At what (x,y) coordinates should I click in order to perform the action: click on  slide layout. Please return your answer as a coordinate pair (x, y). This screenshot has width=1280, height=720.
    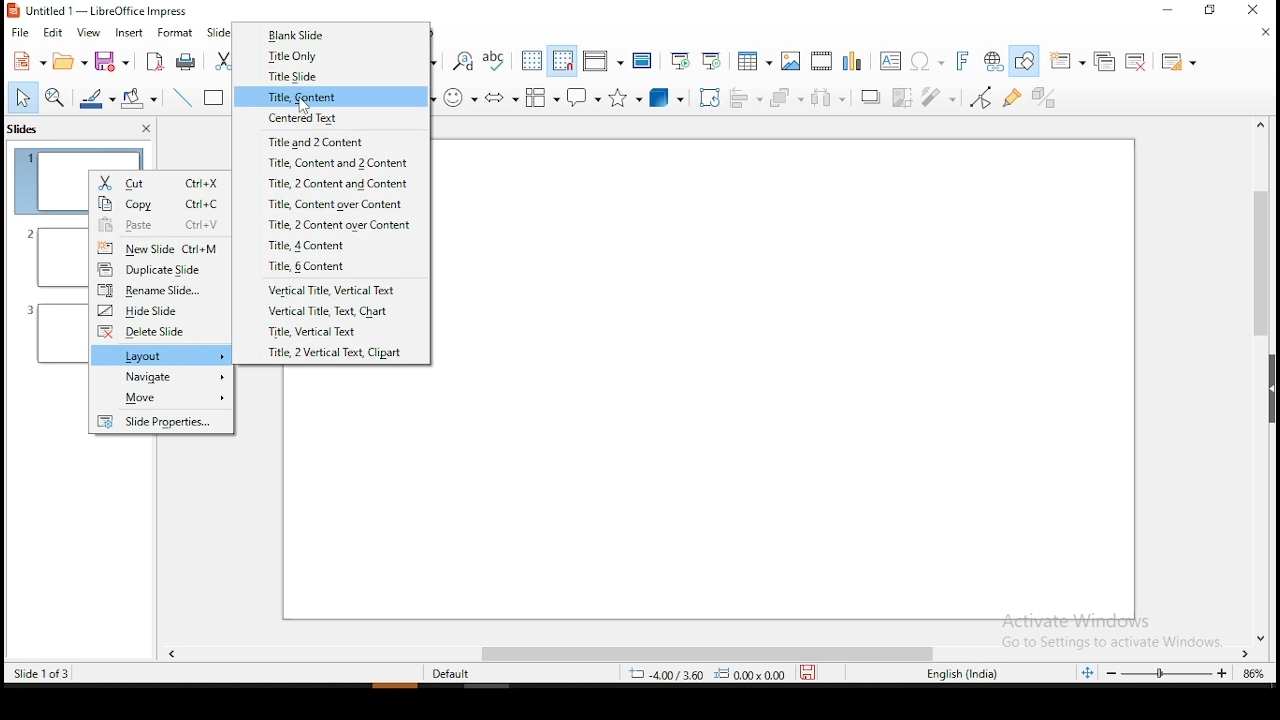
    Looking at the image, I should click on (1179, 63).